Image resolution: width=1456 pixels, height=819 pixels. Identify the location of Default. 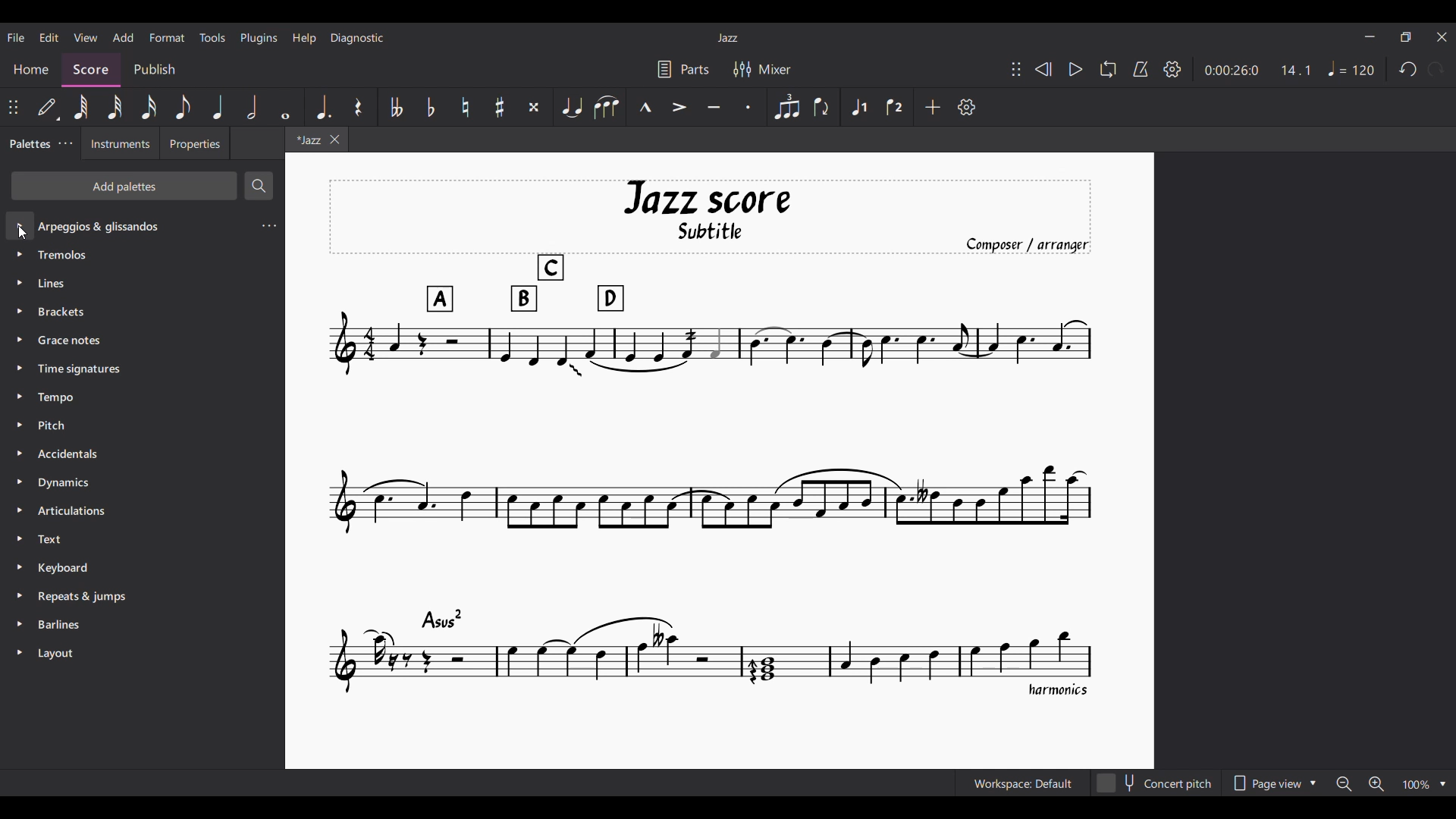
(49, 107).